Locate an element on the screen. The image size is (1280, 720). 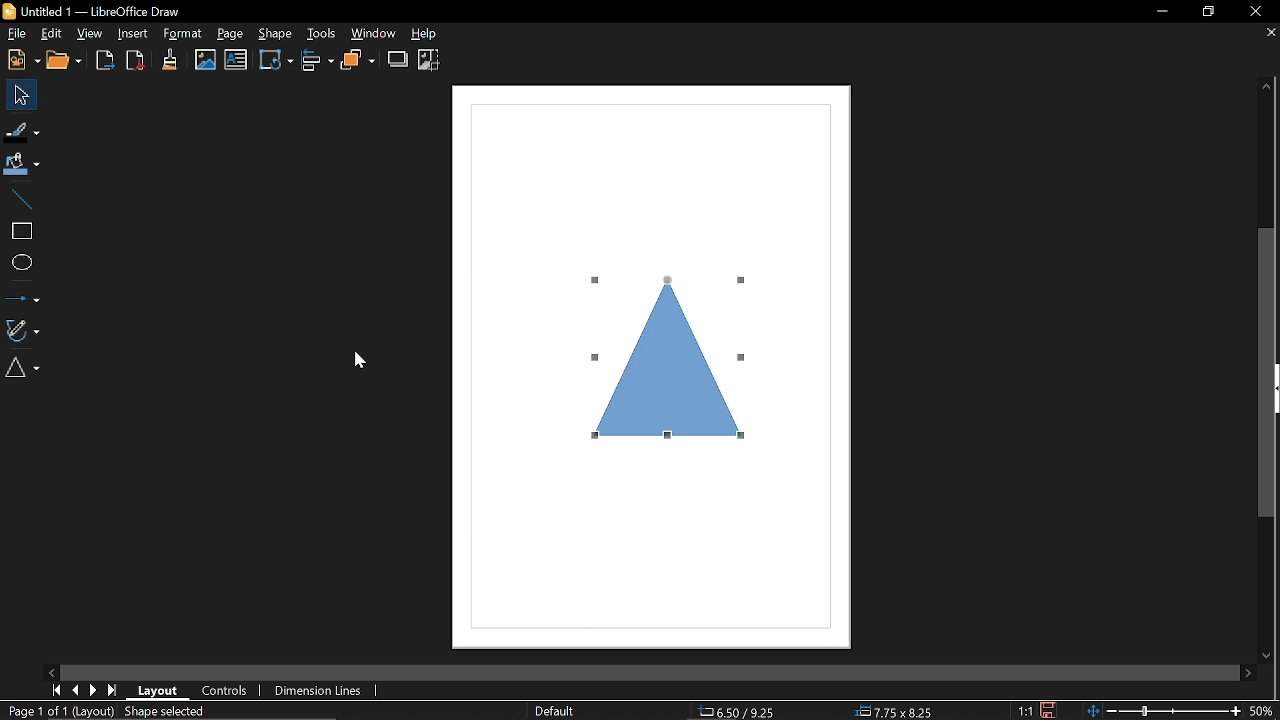
Select is located at coordinates (19, 94).